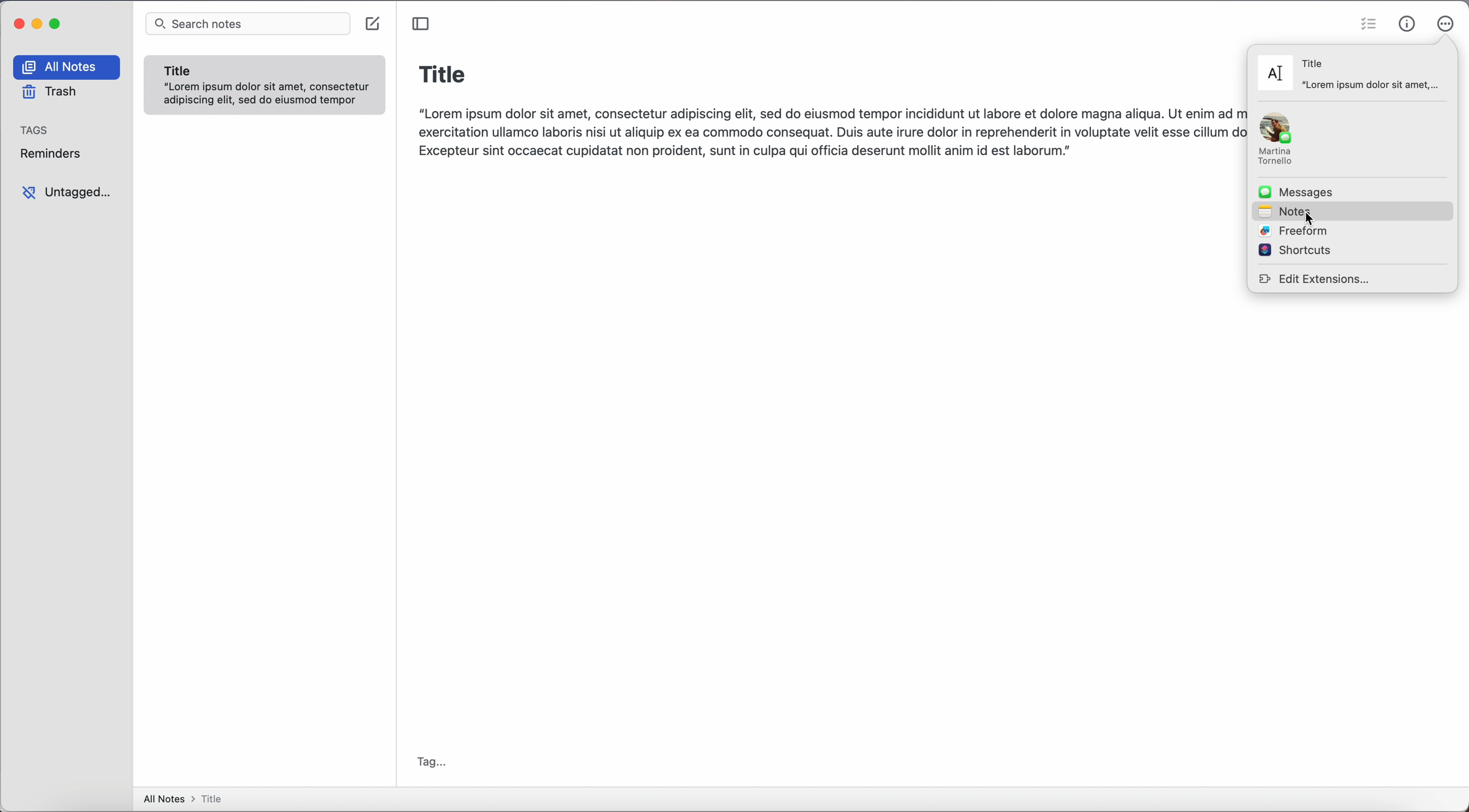 This screenshot has height=812, width=1469. I want to click on messages, so click(1298, 193).